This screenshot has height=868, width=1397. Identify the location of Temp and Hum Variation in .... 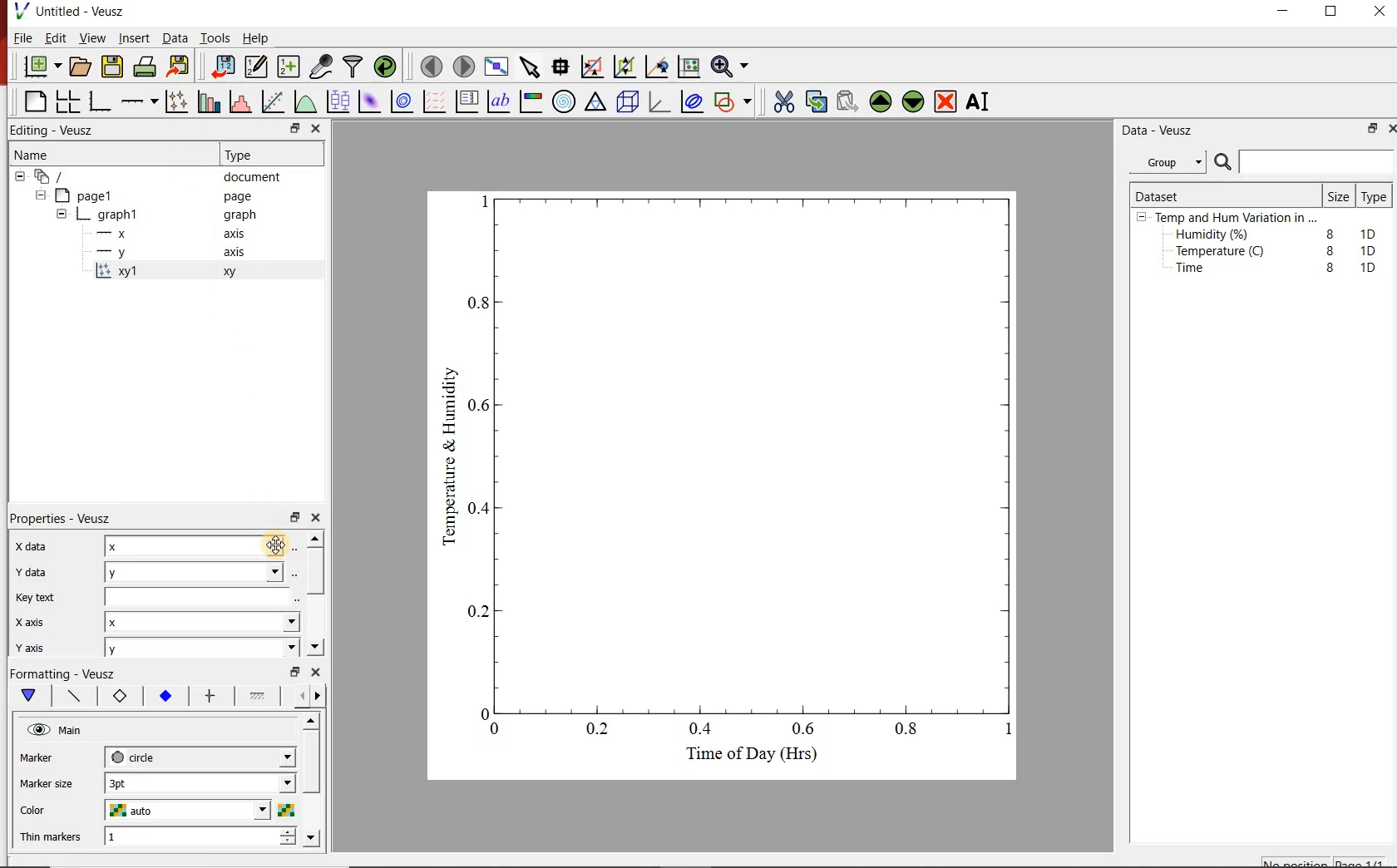
(1236, 218).